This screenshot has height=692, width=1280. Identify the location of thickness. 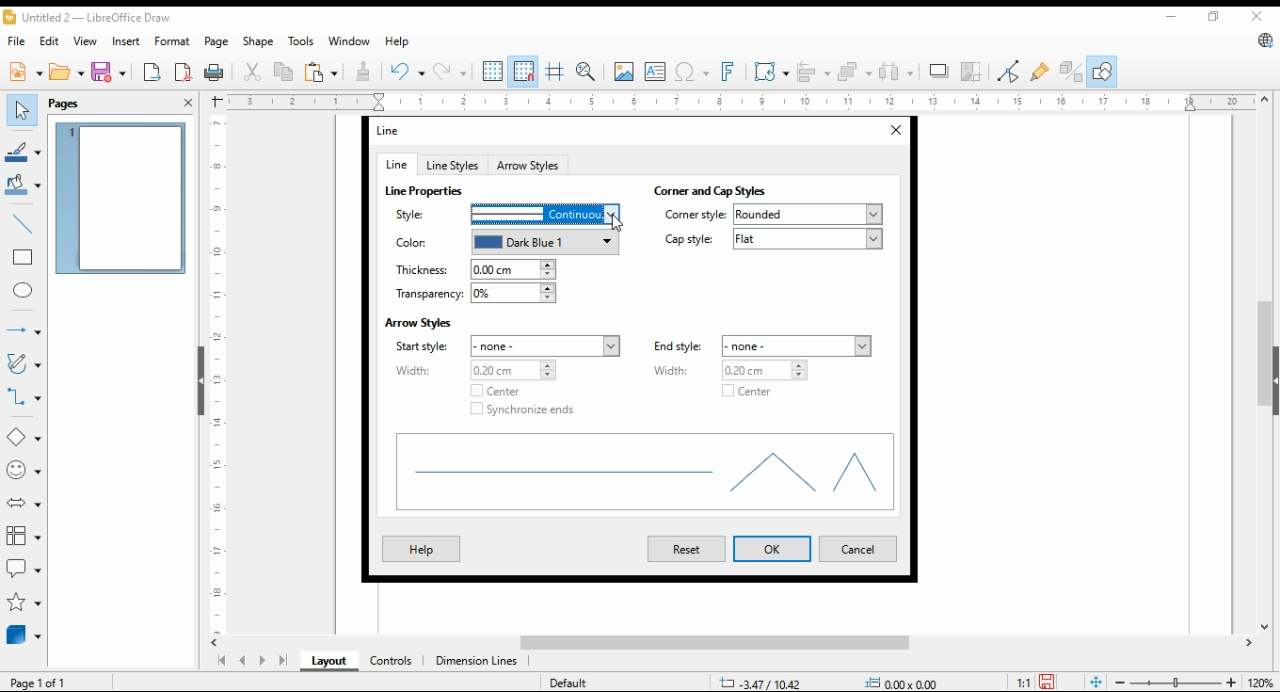
(474, 270).